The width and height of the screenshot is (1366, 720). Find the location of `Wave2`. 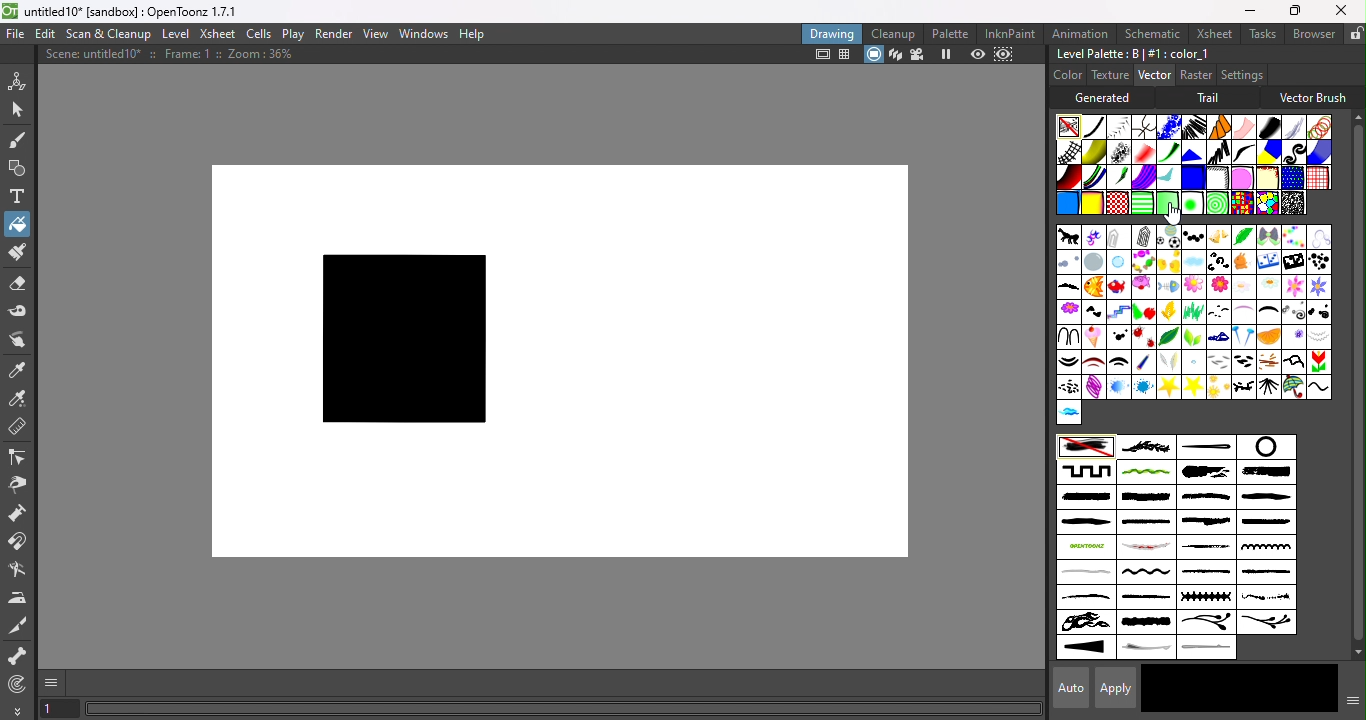

Wave2 is located at coordinates (1068, 413).